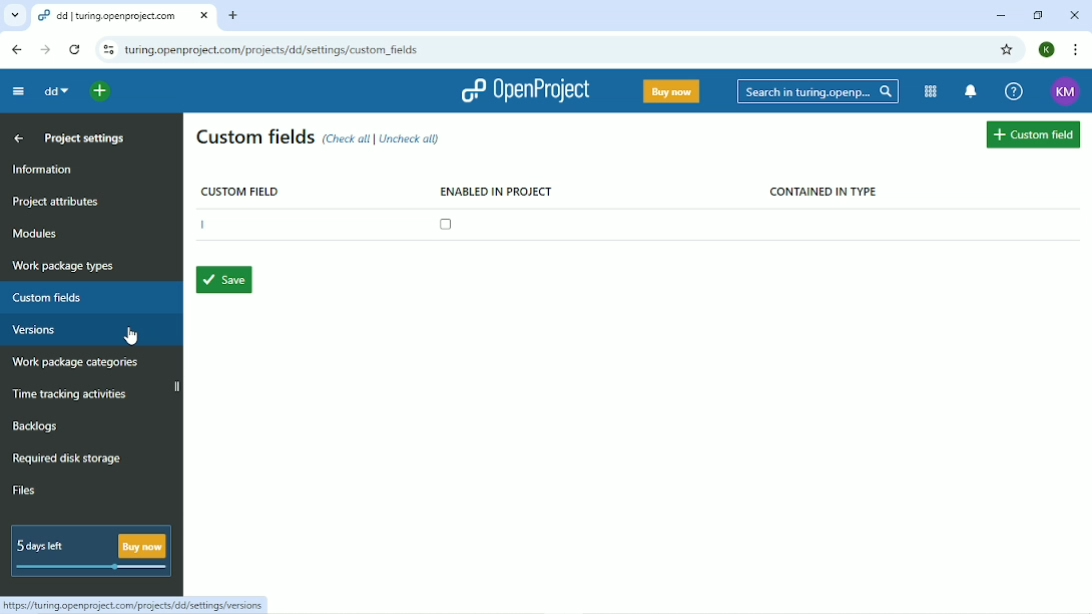  Describe the element at coordinates (15, 16) in the screenshot. I see `` at that location.